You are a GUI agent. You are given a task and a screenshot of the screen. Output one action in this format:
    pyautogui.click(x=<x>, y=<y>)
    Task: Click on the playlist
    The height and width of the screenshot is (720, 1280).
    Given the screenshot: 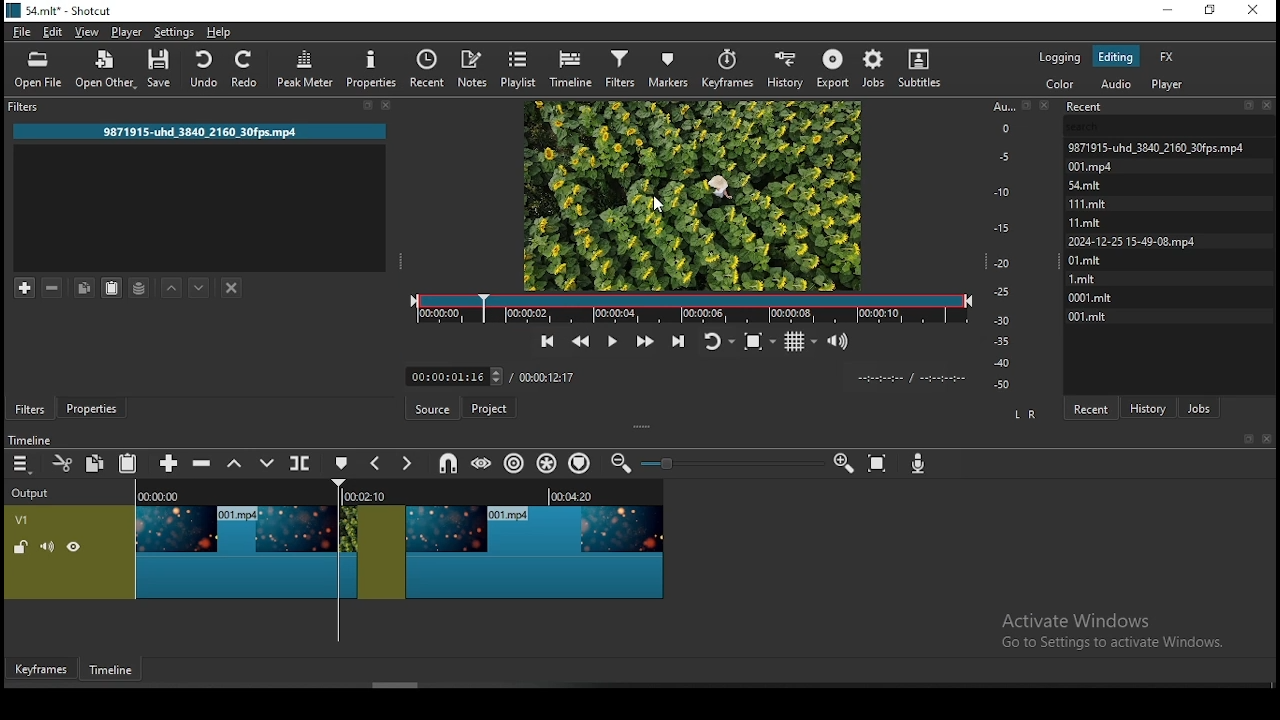 What is the action you would take?
    pyautogui.click(x=516, y=67)
    